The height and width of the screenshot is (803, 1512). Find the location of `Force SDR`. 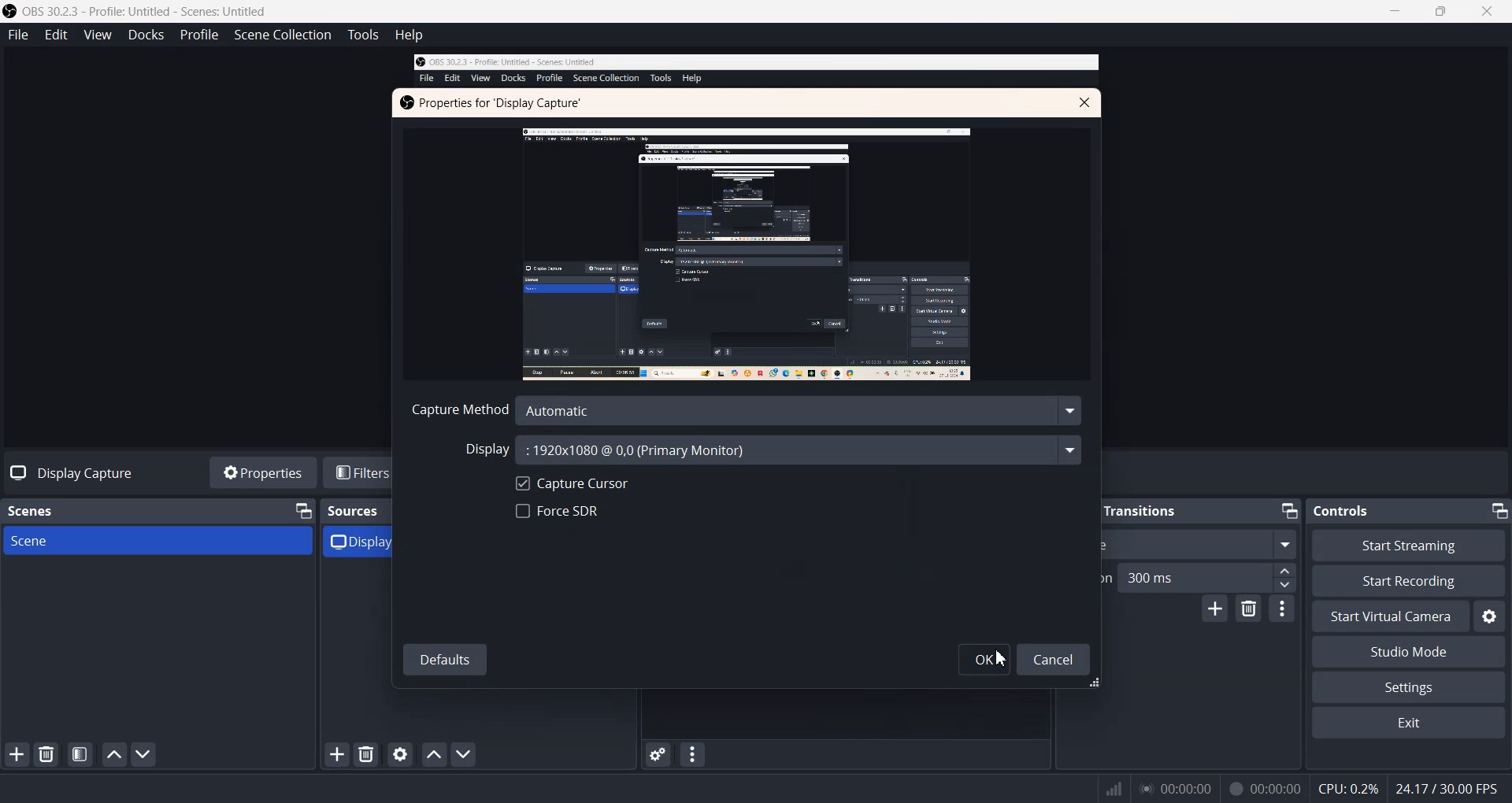

Force SDR is located at coordinates (557, 511).